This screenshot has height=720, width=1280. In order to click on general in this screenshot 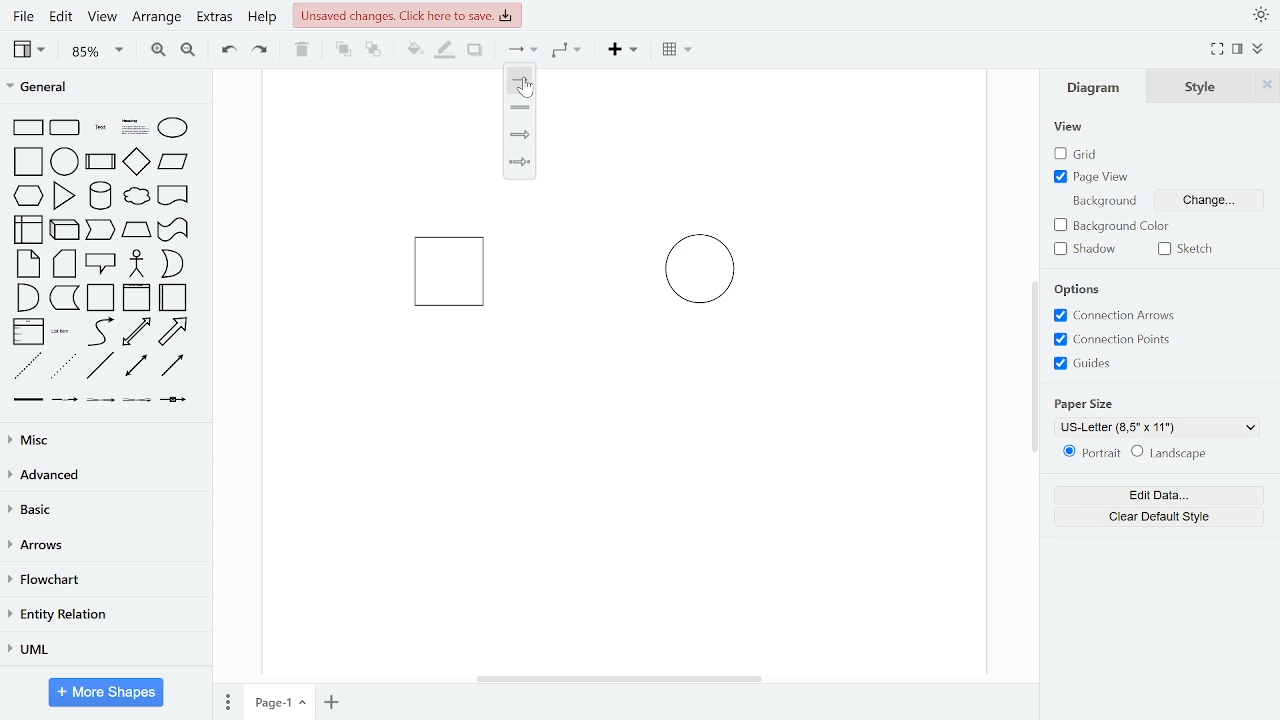, I will do `click(107, 89)`.